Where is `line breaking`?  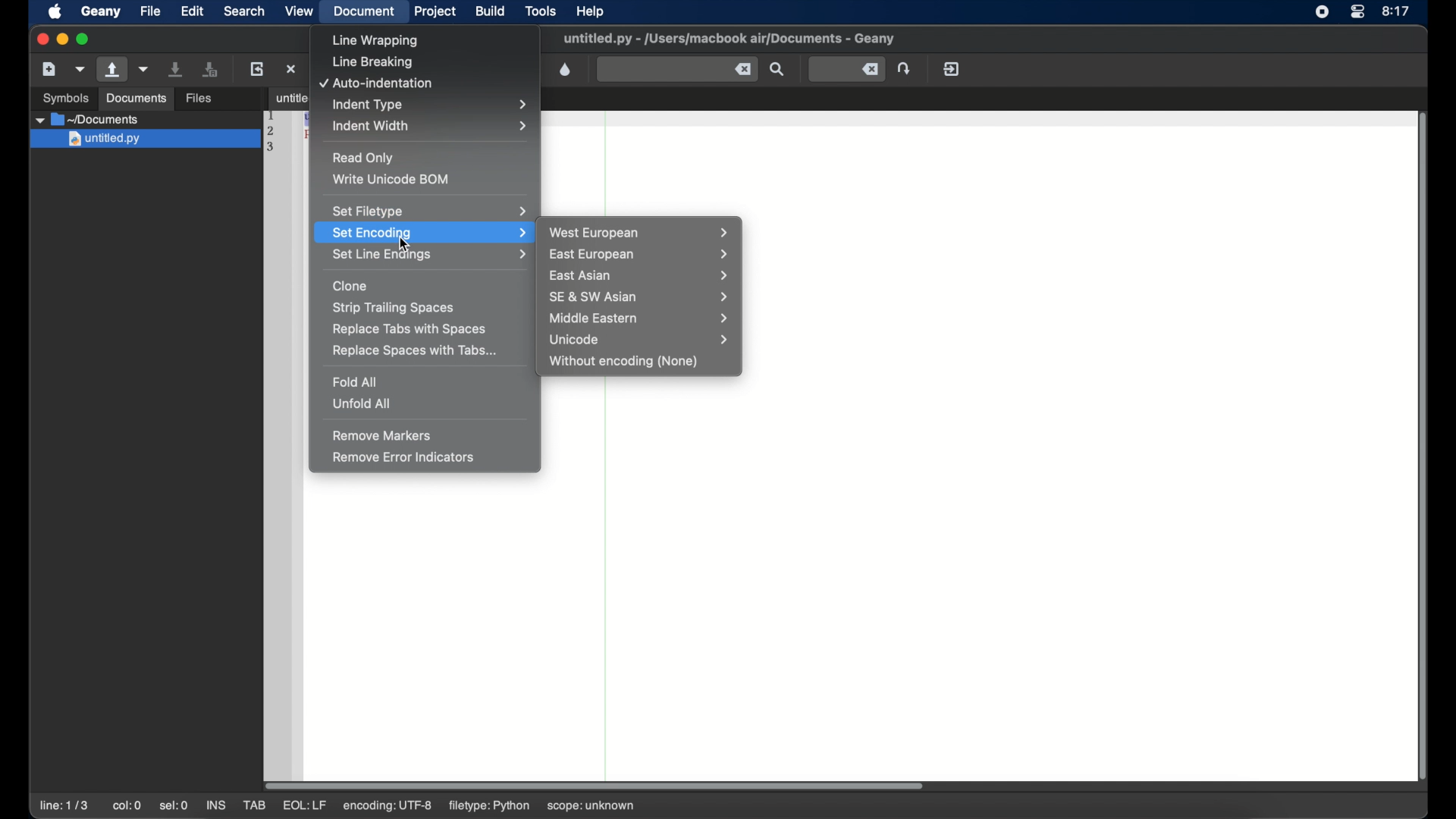 line breaking is located at coordinates (372, 63).